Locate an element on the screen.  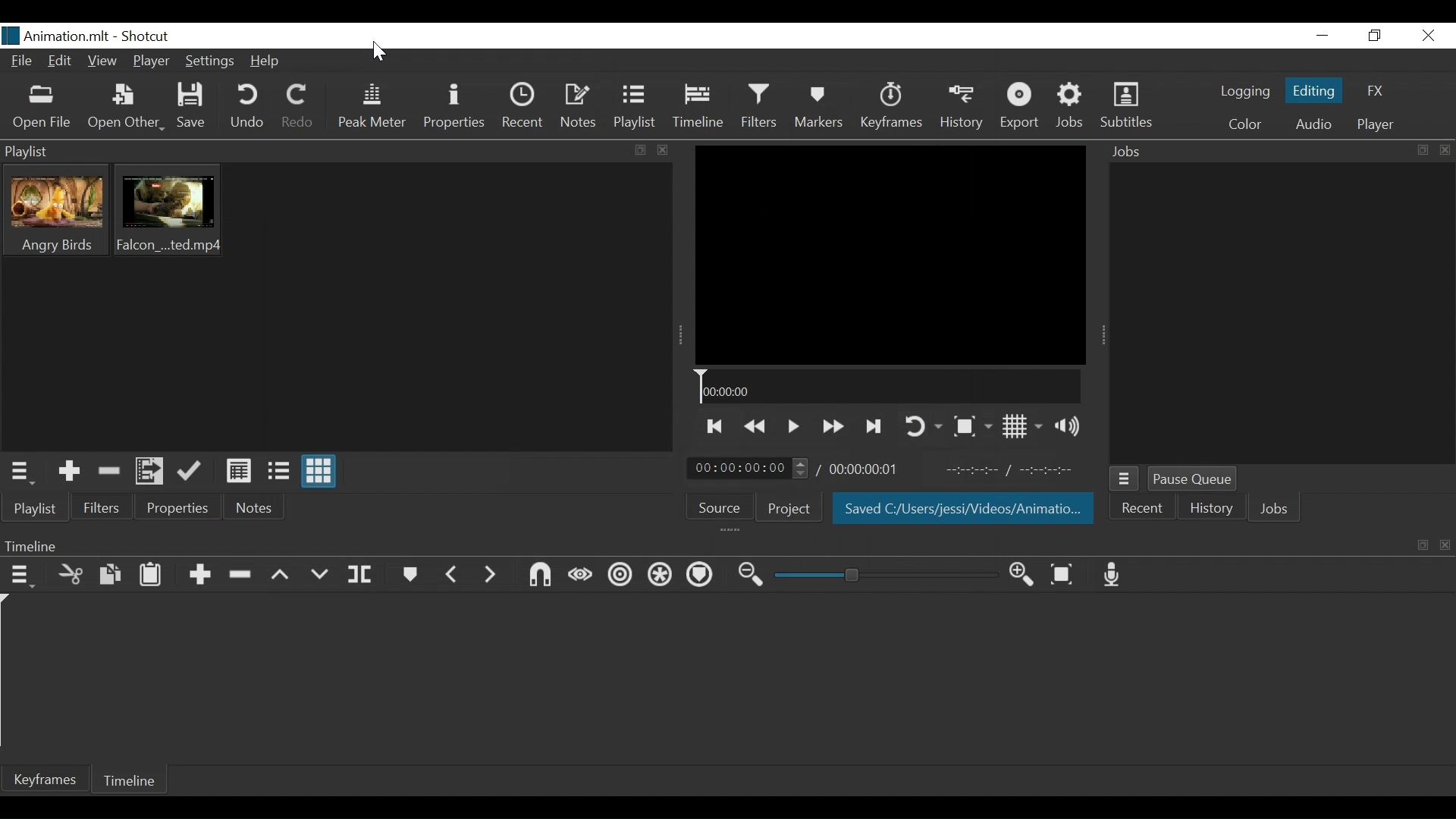
Media Viewer is located at coordinates (890, 255).